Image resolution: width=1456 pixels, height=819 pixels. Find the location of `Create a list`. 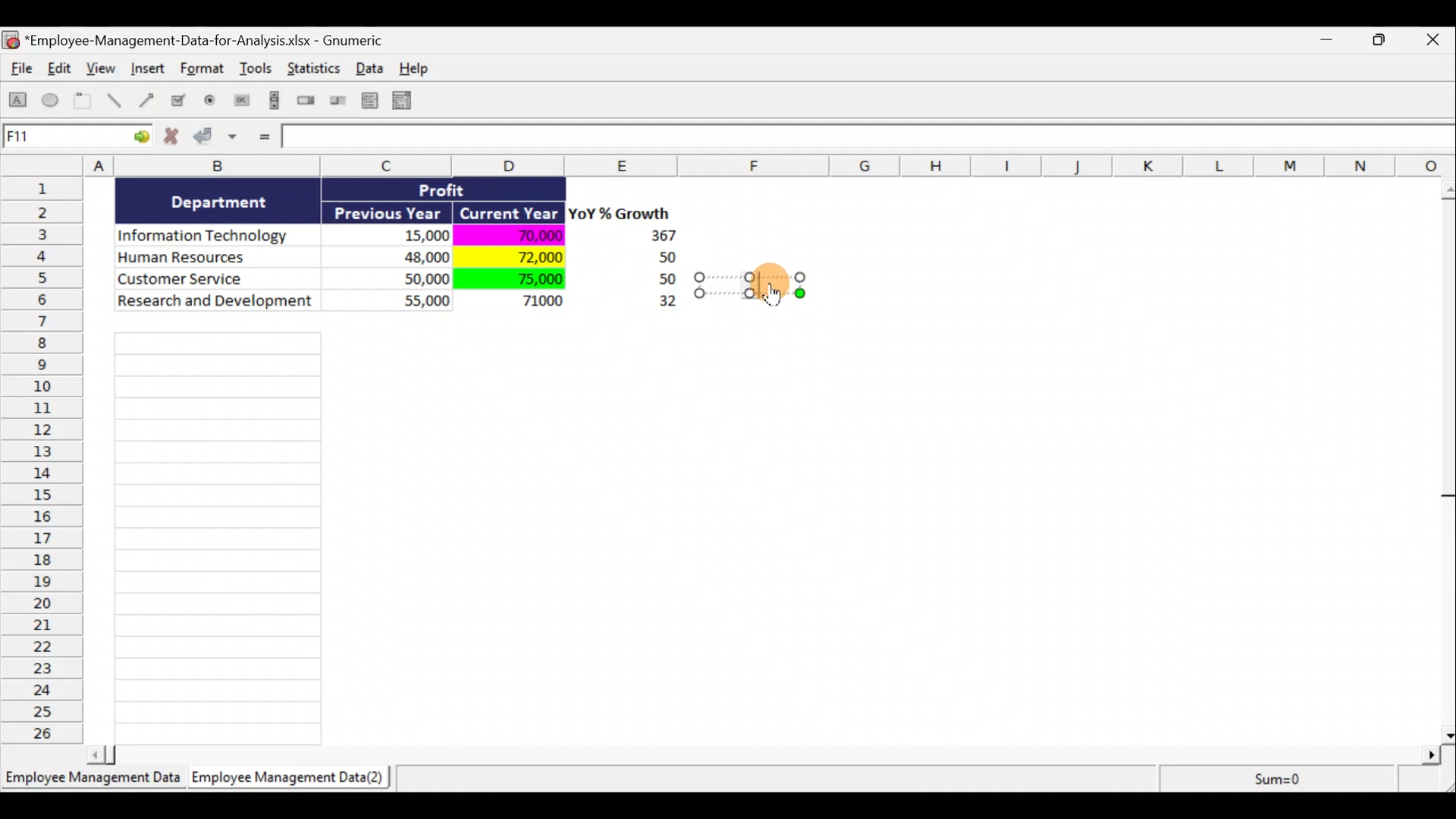

Create a list is located at coordinates (366, 100).